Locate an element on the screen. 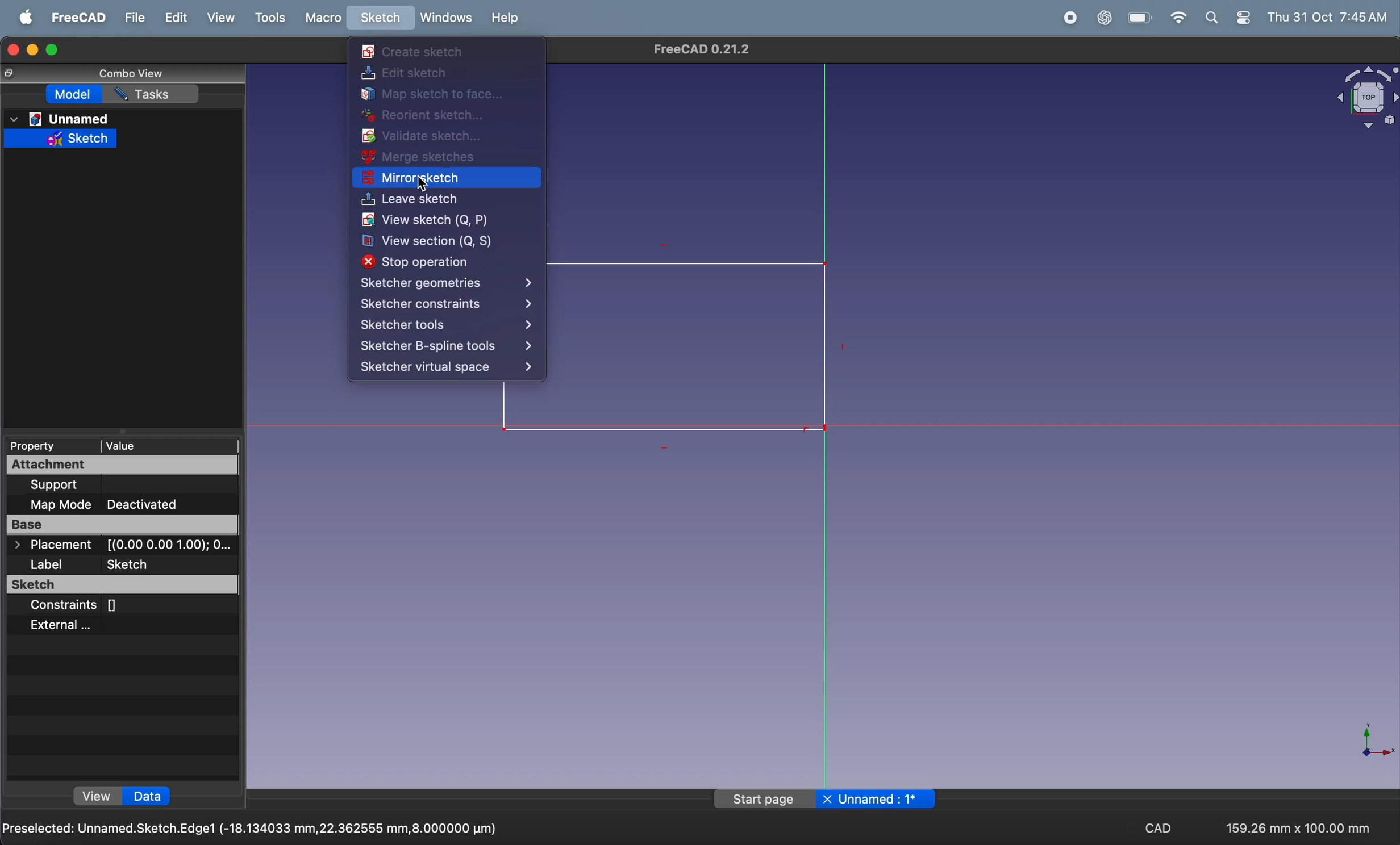 The height and width of the screenshot is (845, 1400). value is located at coordinates (165, 443).